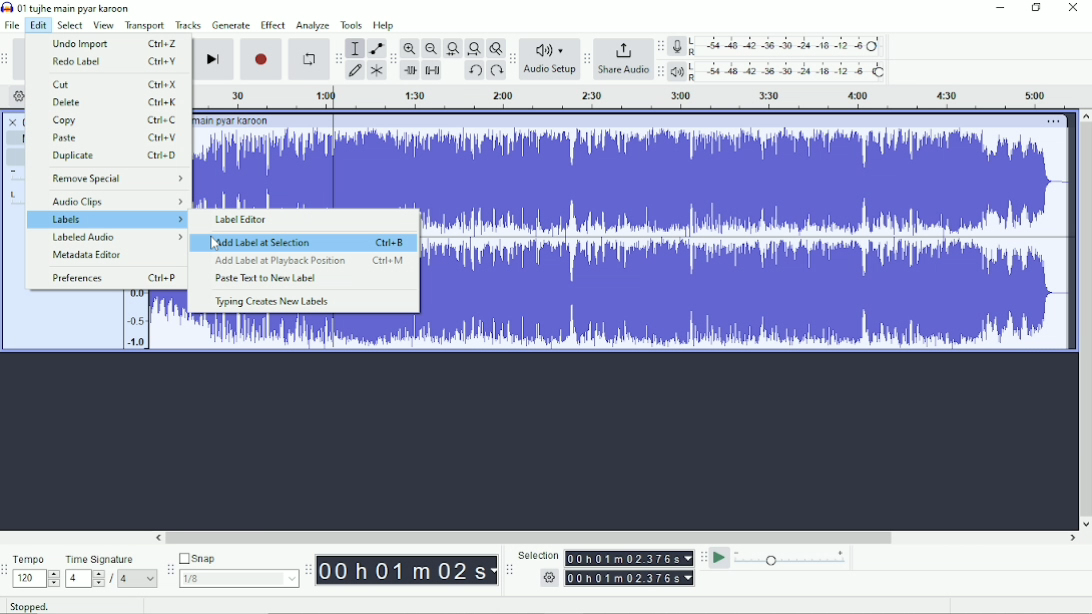 This screenshot has height=614, width=1092. I want to click on Add Label at Playback Position, so click(310, 261).